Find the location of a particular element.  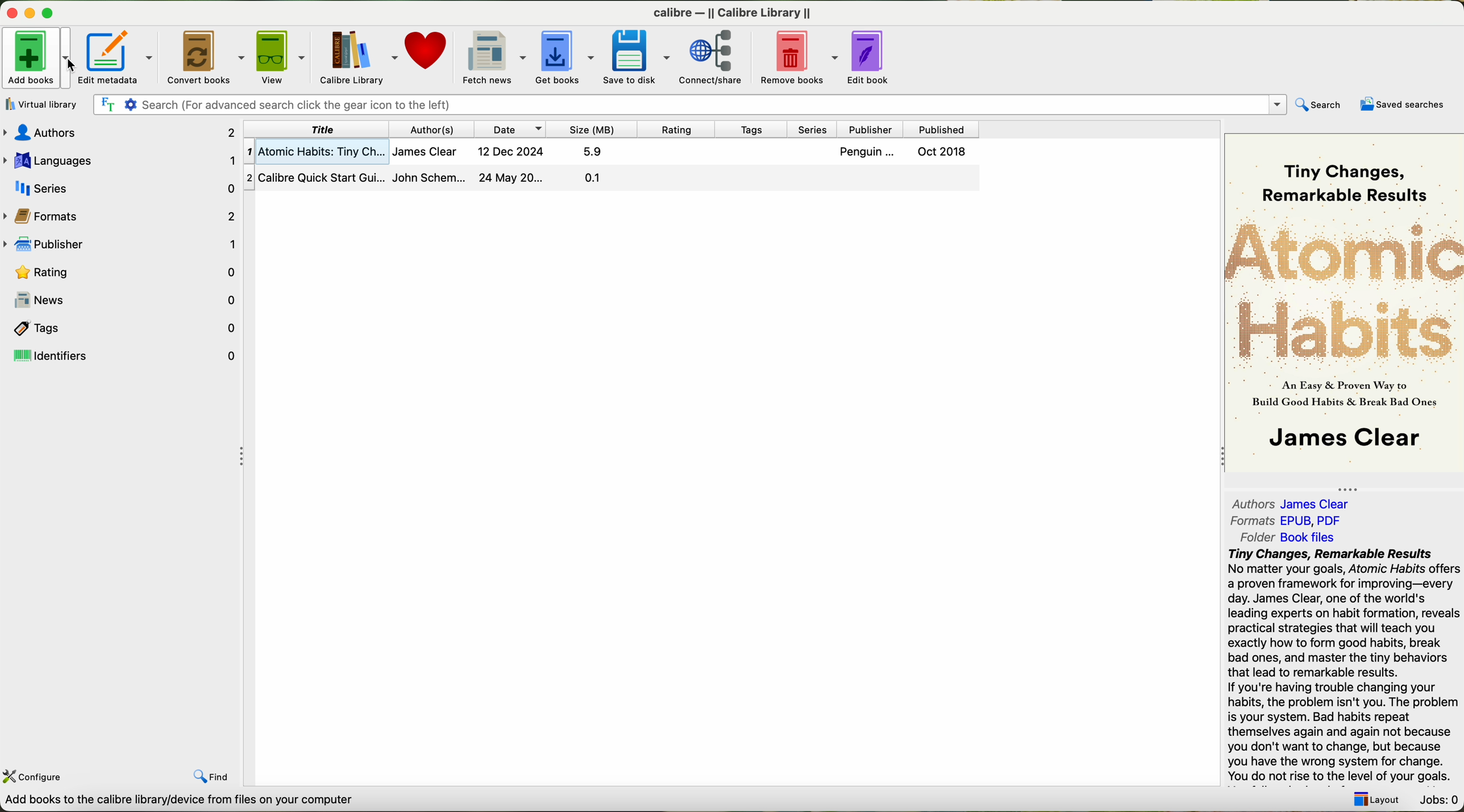

remove books is located at coordinates (796, 58).